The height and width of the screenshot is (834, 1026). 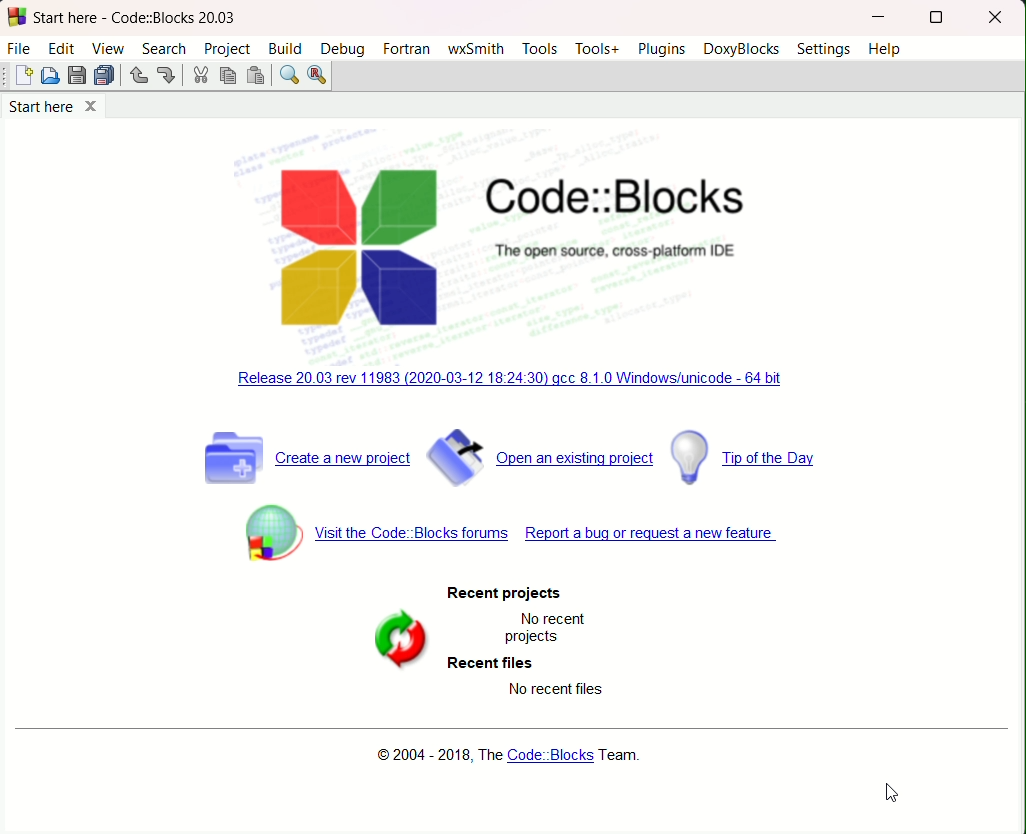 I want to click on visit forum, so click(x=369, y=533).